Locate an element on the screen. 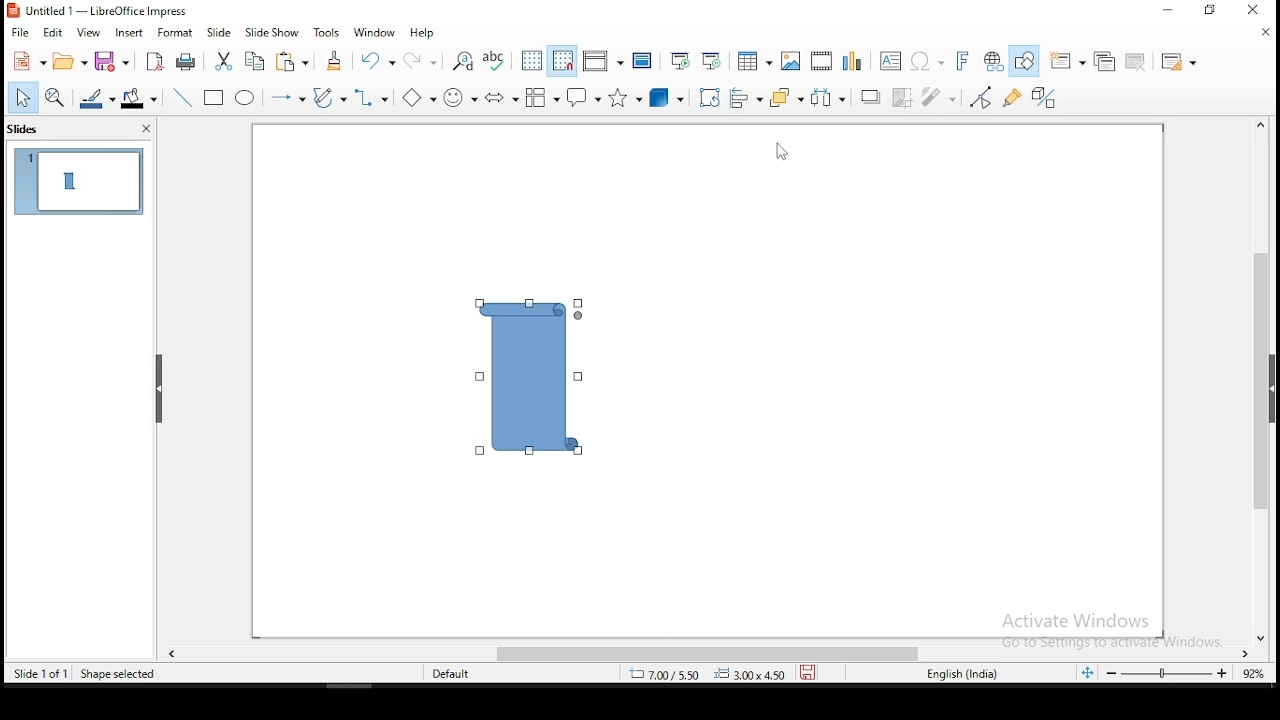  print is located at coordinates (186, 63).